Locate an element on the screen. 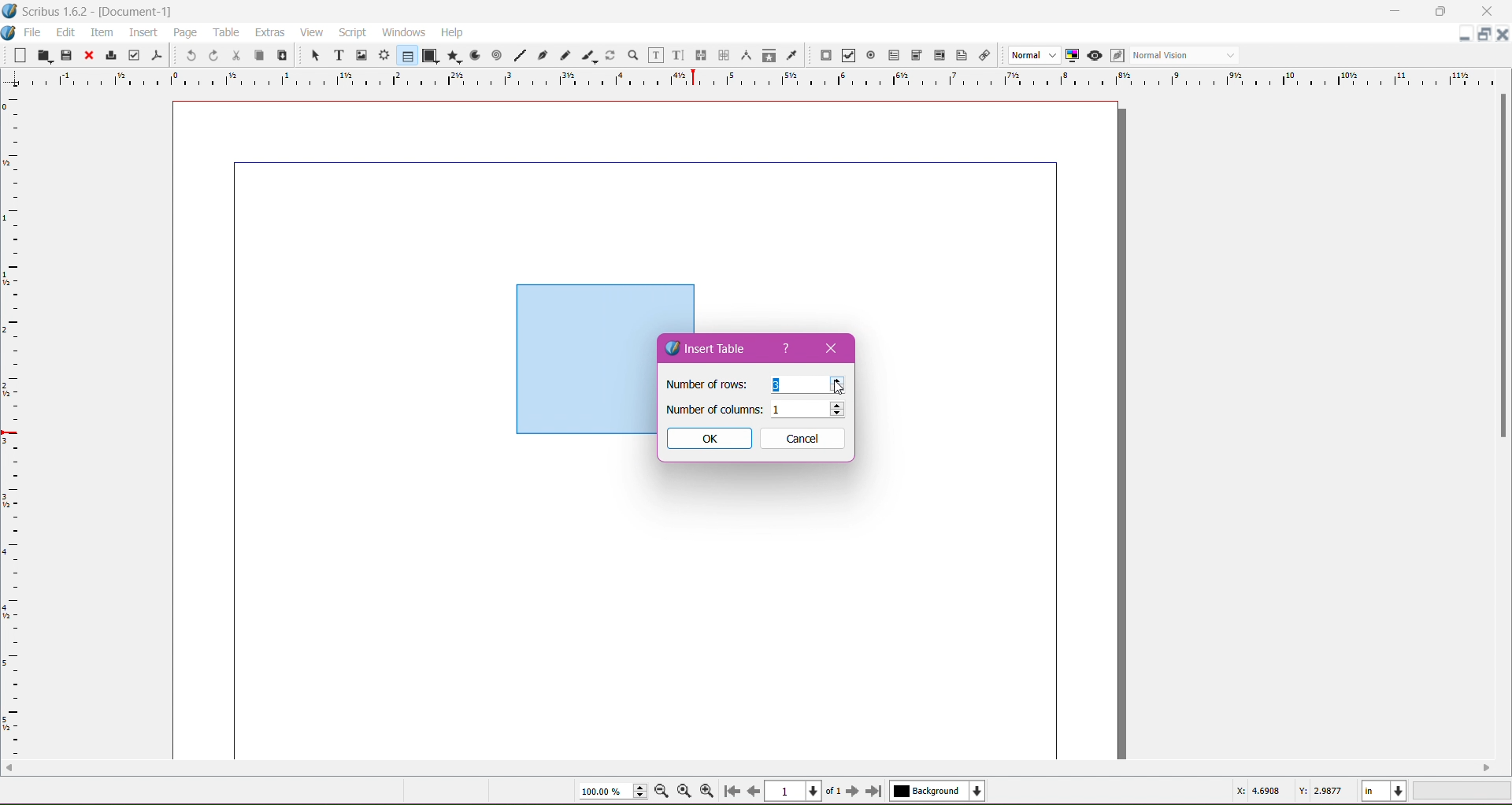 The image size is (1512, 805). Measurements is located at coordinates (744, 56).